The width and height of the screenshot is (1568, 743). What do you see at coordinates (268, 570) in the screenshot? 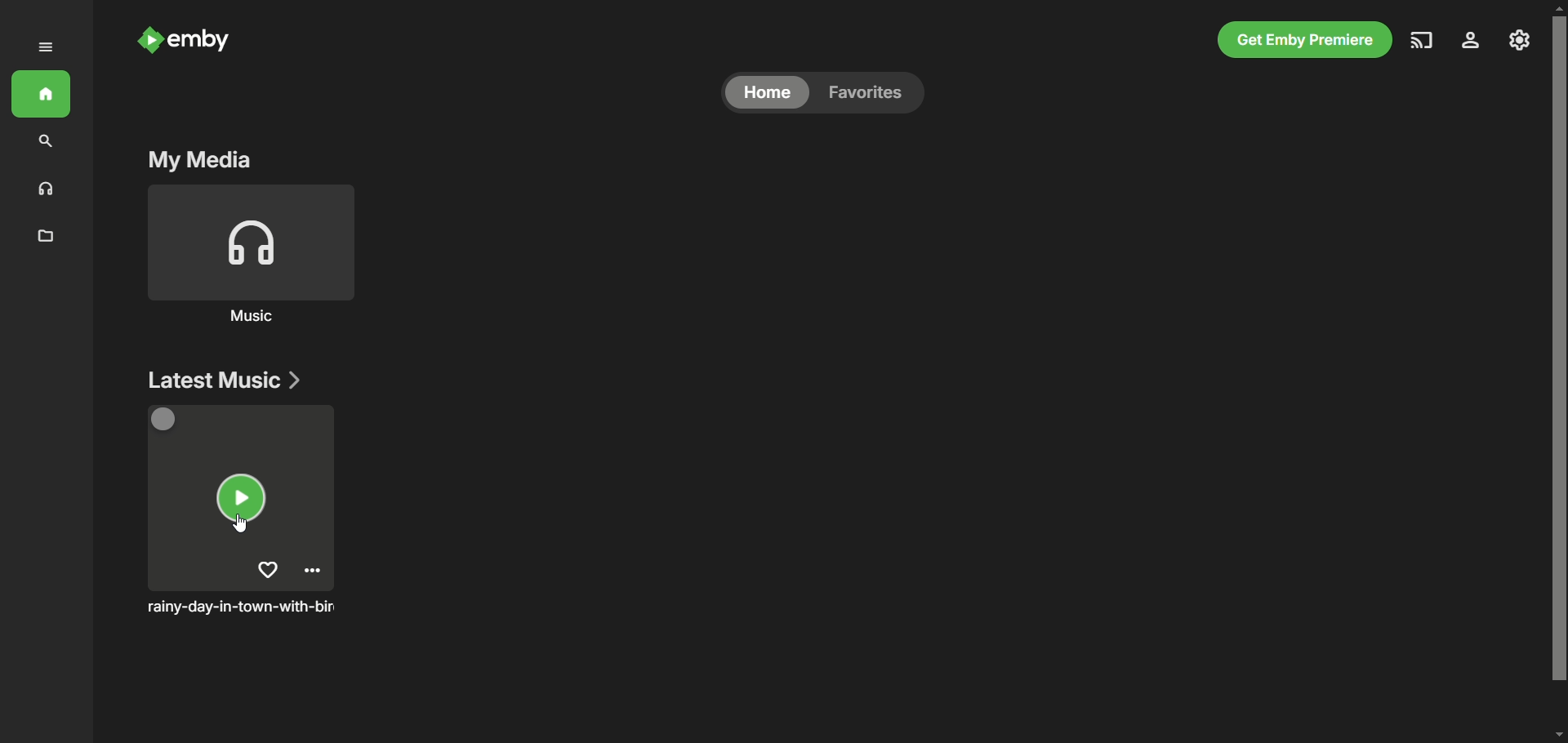
I see `favorite` at bounding box center [268, 570].